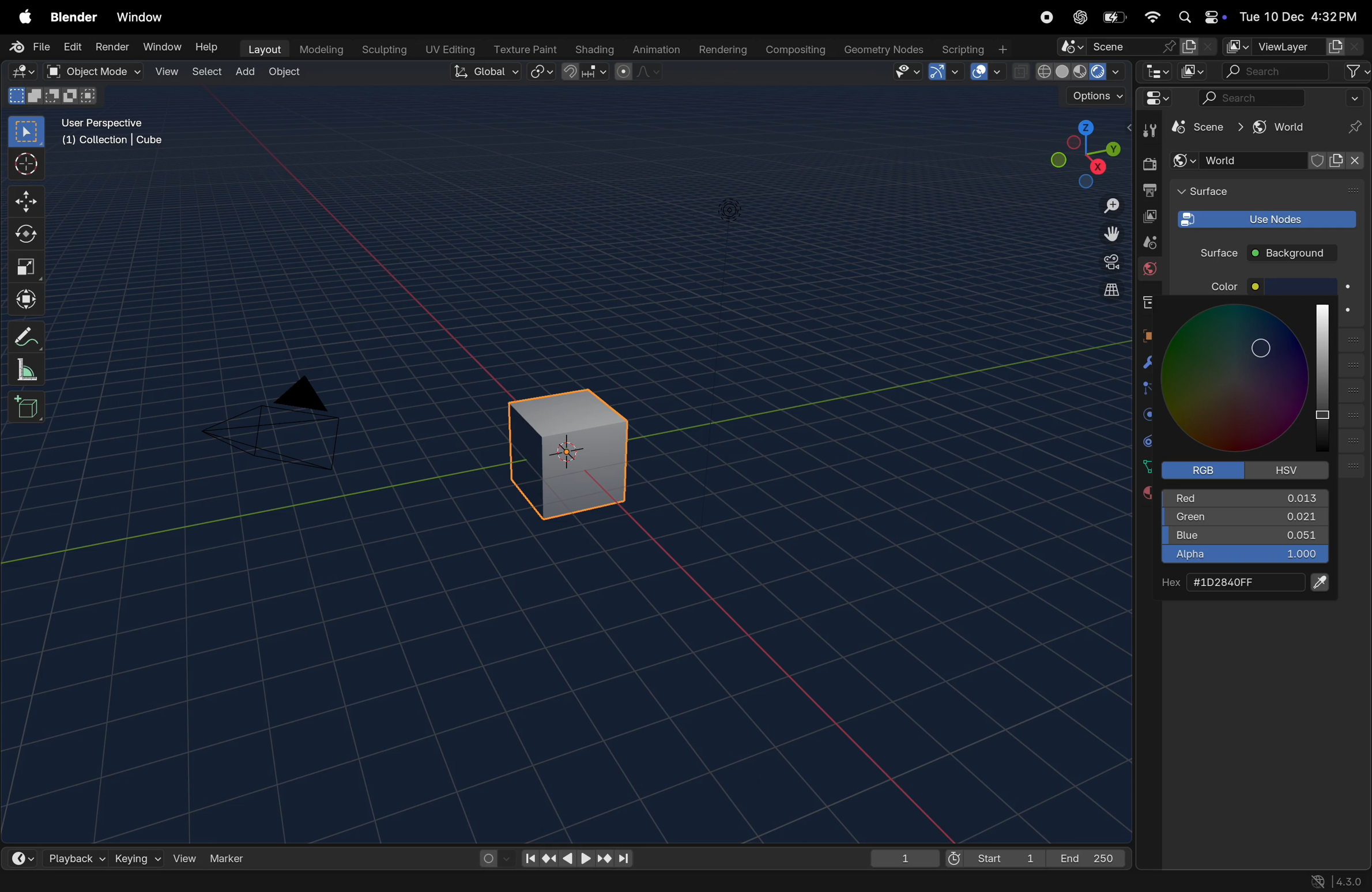  What do you see at coordinates (1288, 470) in the screenshot?
I see `Hsv` at bounding box center [1288, 470].